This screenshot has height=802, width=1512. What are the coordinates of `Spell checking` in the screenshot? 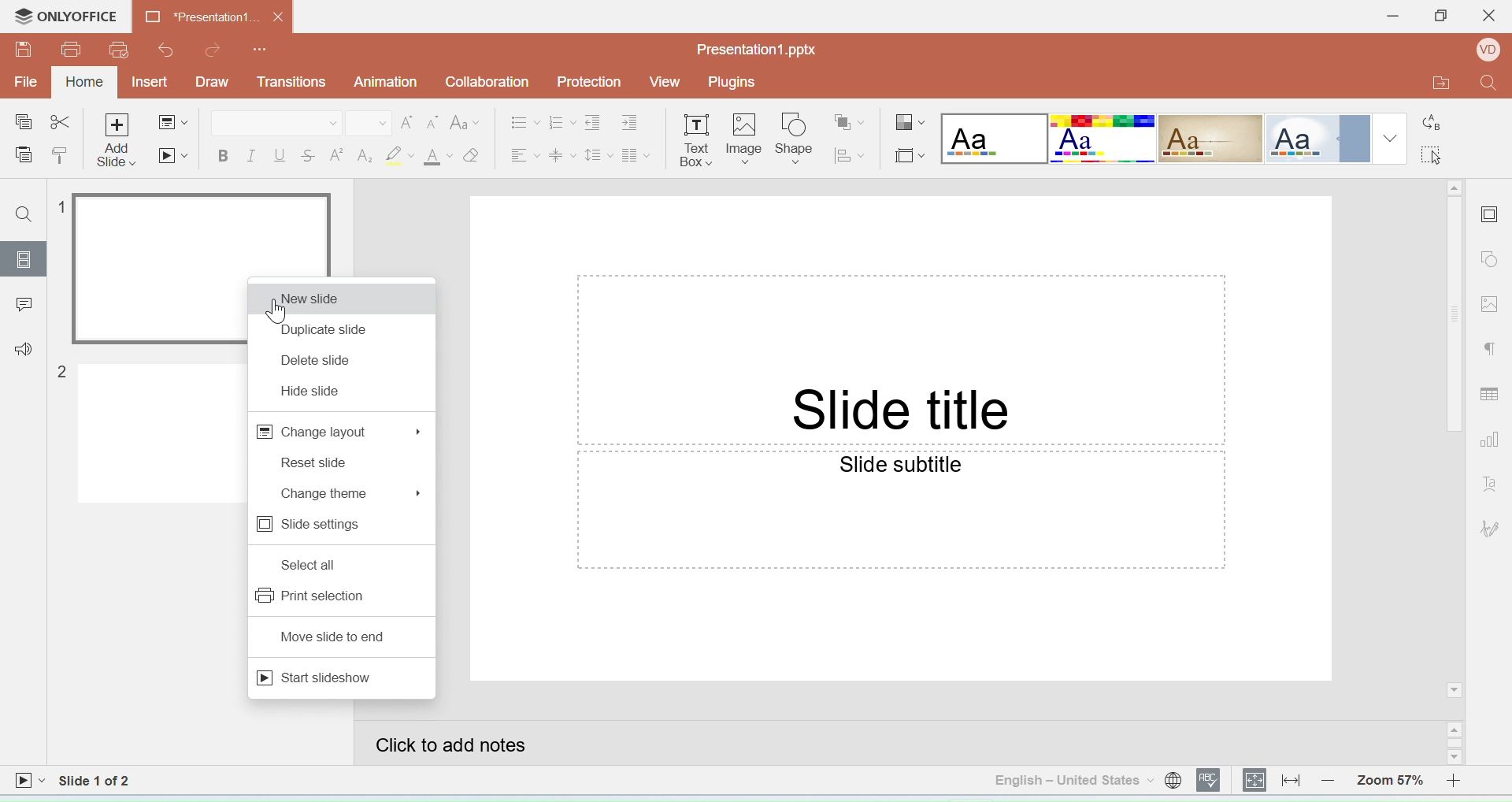 It's located at (1210, 780).